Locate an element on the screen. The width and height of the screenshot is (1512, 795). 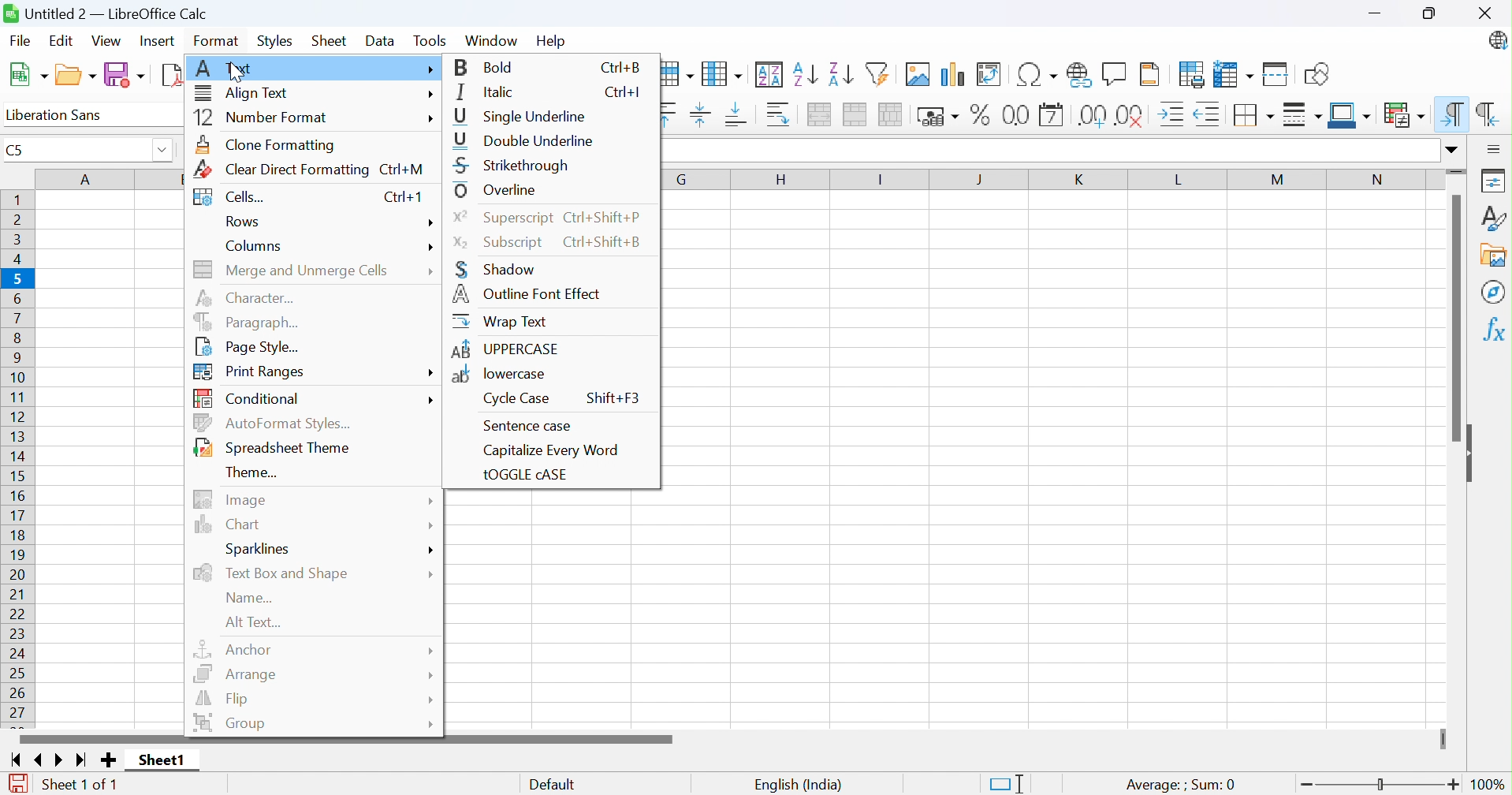
Chart is located at coordinates (229, 525).